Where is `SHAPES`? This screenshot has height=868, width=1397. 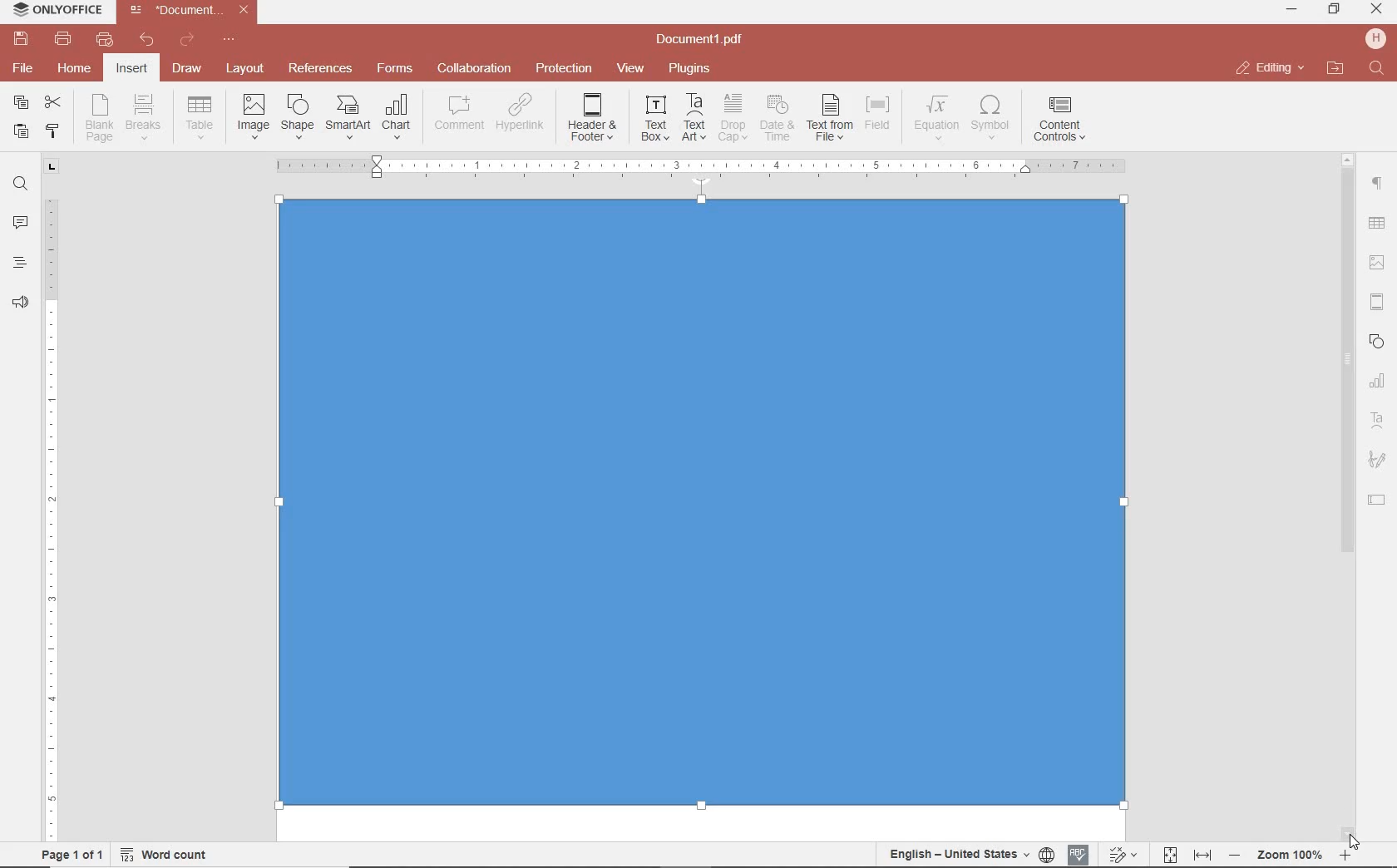 SHAPES is located at coordinates (1378, 343).